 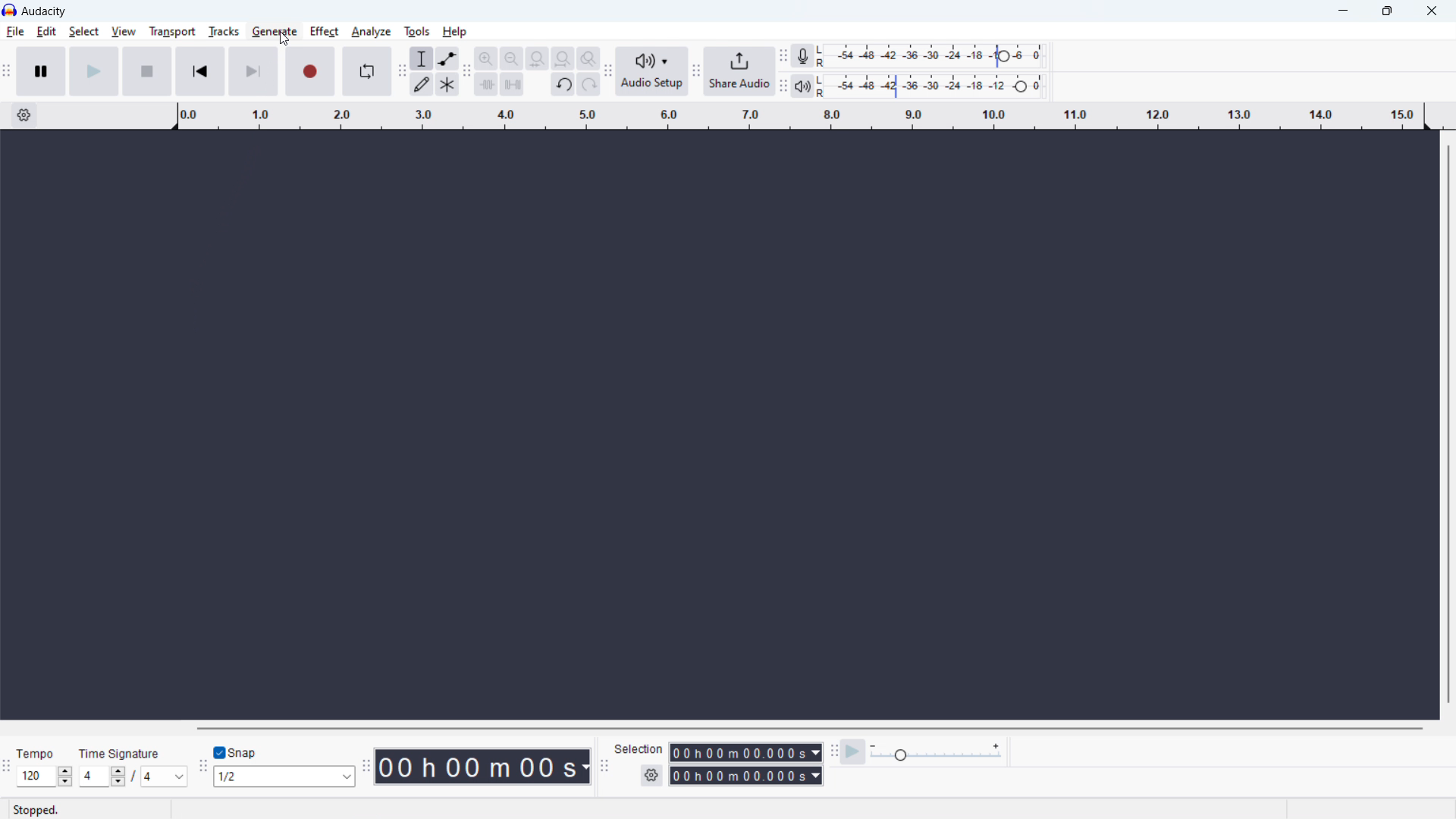 What do you see at coordinates (133, 777) in the screenshot?
I see `set time signature` at bounding box center [133, 777].